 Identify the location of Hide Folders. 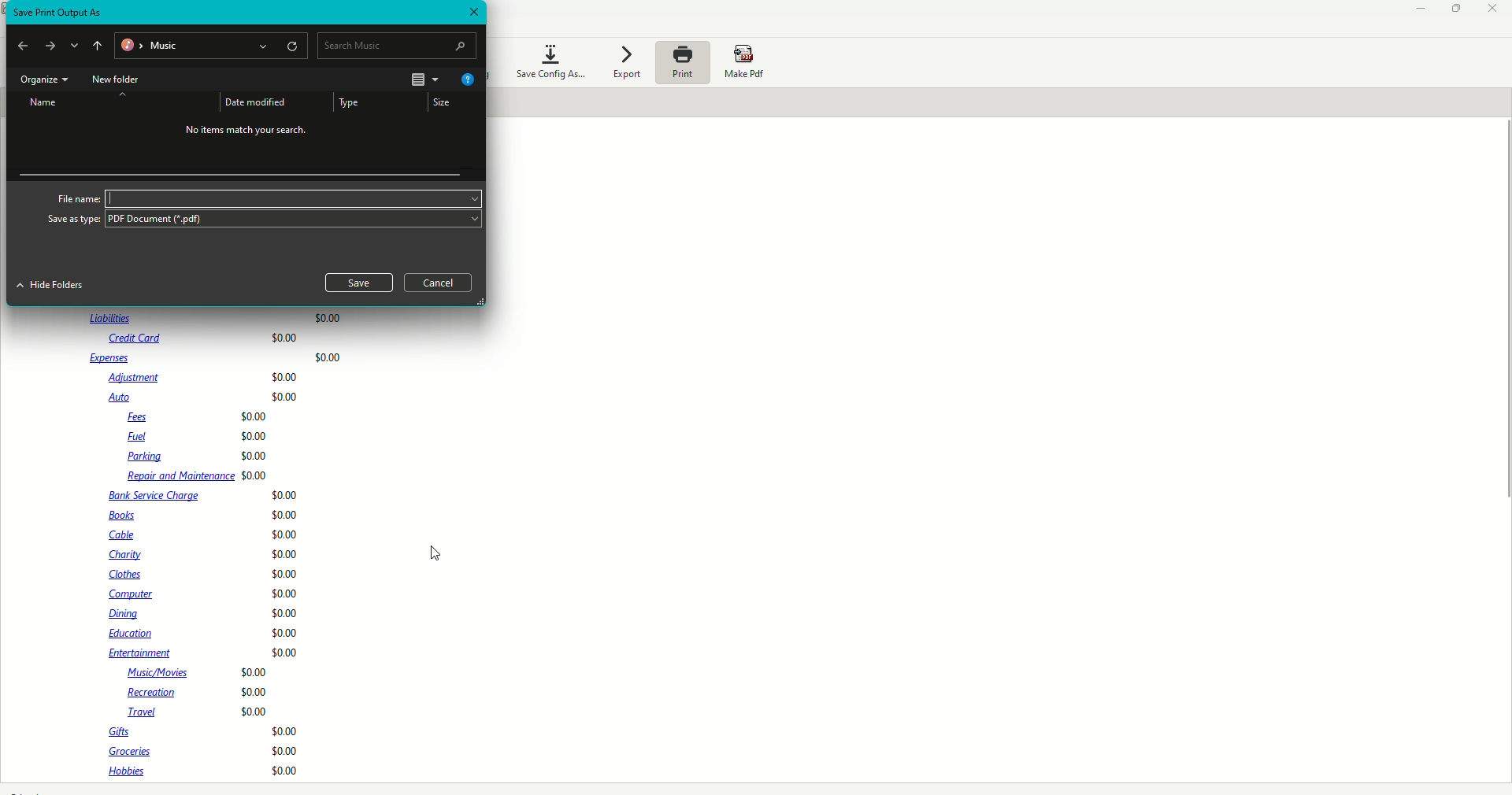
(50, 286).